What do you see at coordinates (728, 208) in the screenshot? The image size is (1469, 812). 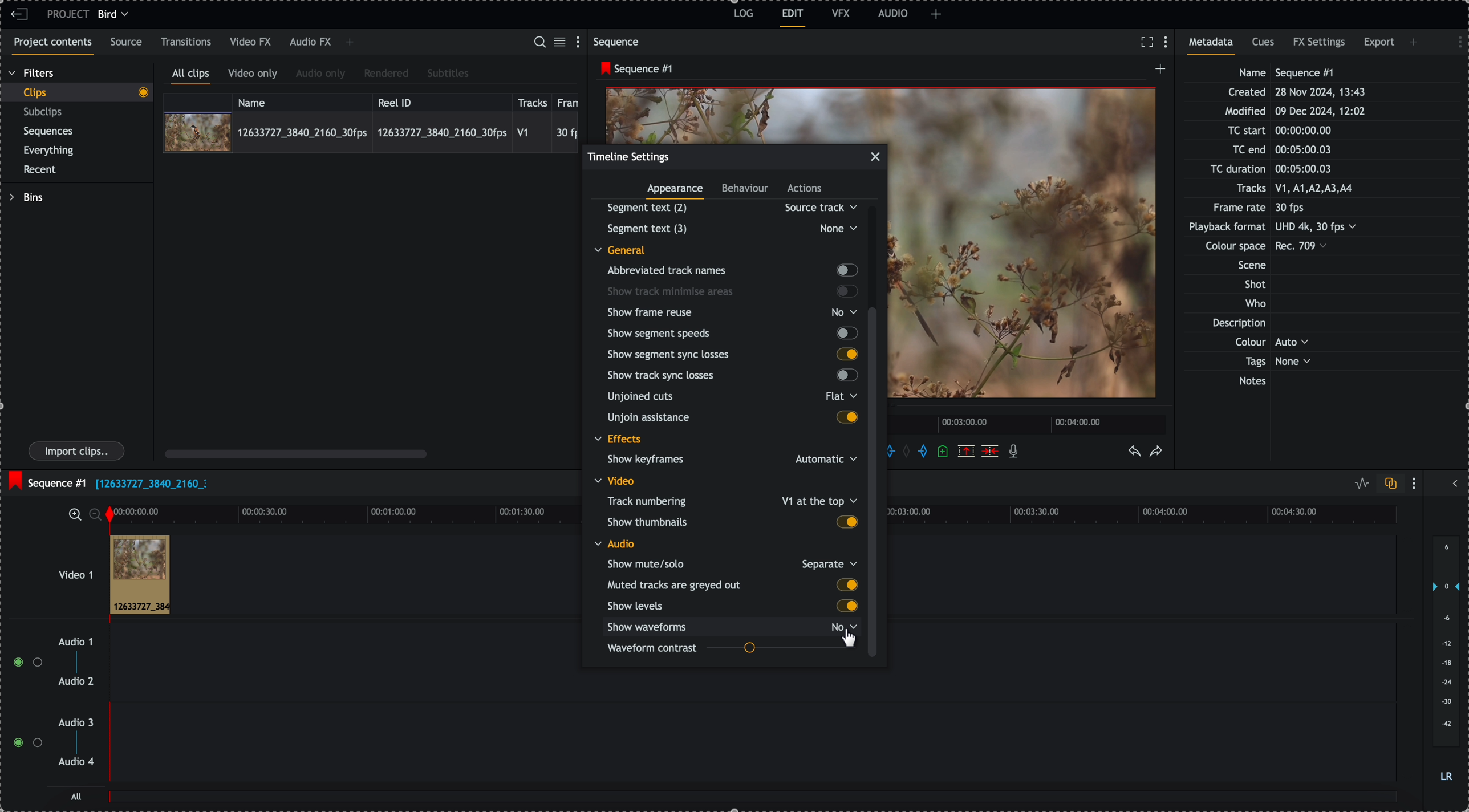 I see `segment text (2)` at bounding box center [728, 208].